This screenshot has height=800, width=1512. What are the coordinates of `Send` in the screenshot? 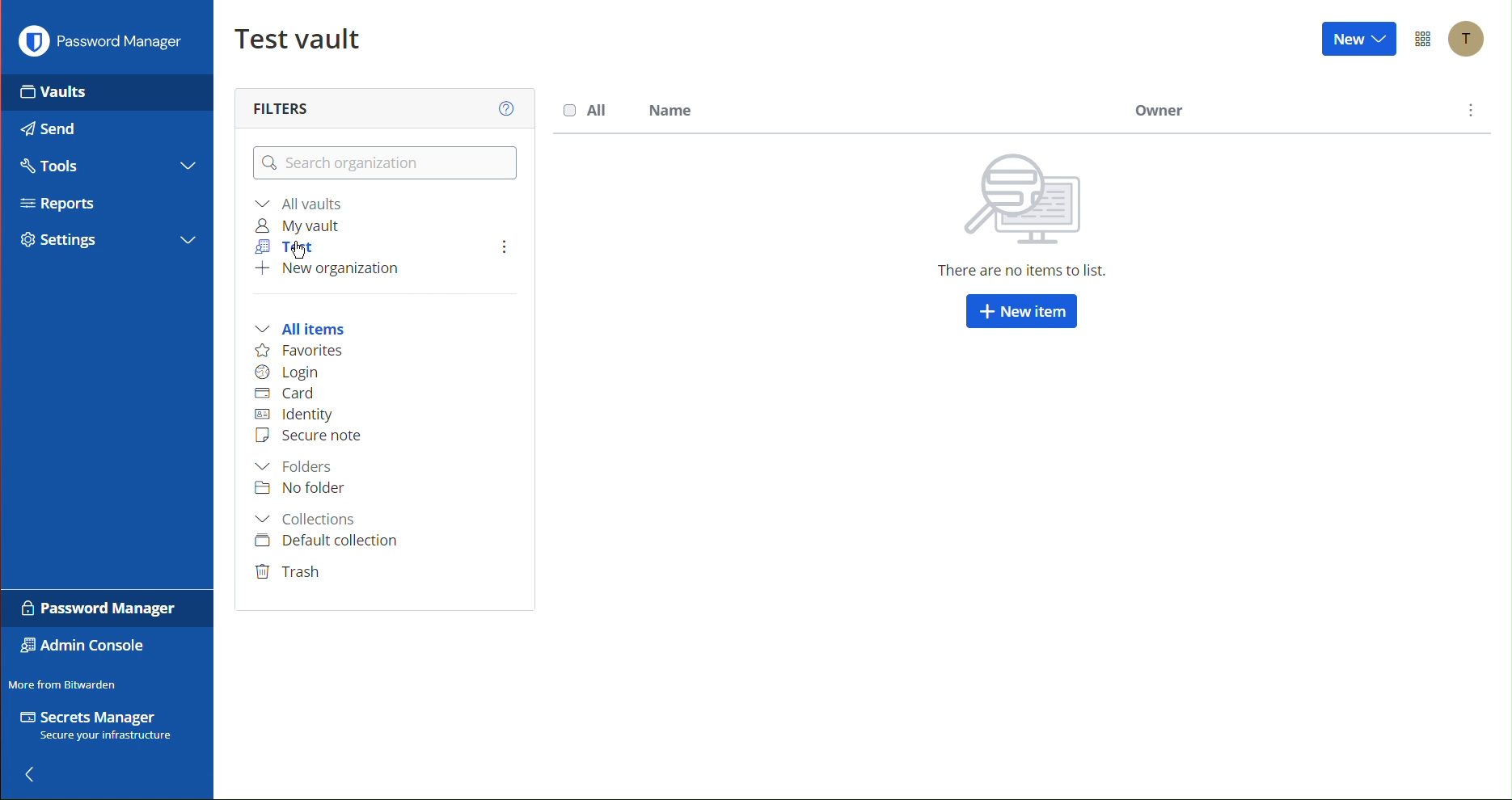 It's located at (54, 132).